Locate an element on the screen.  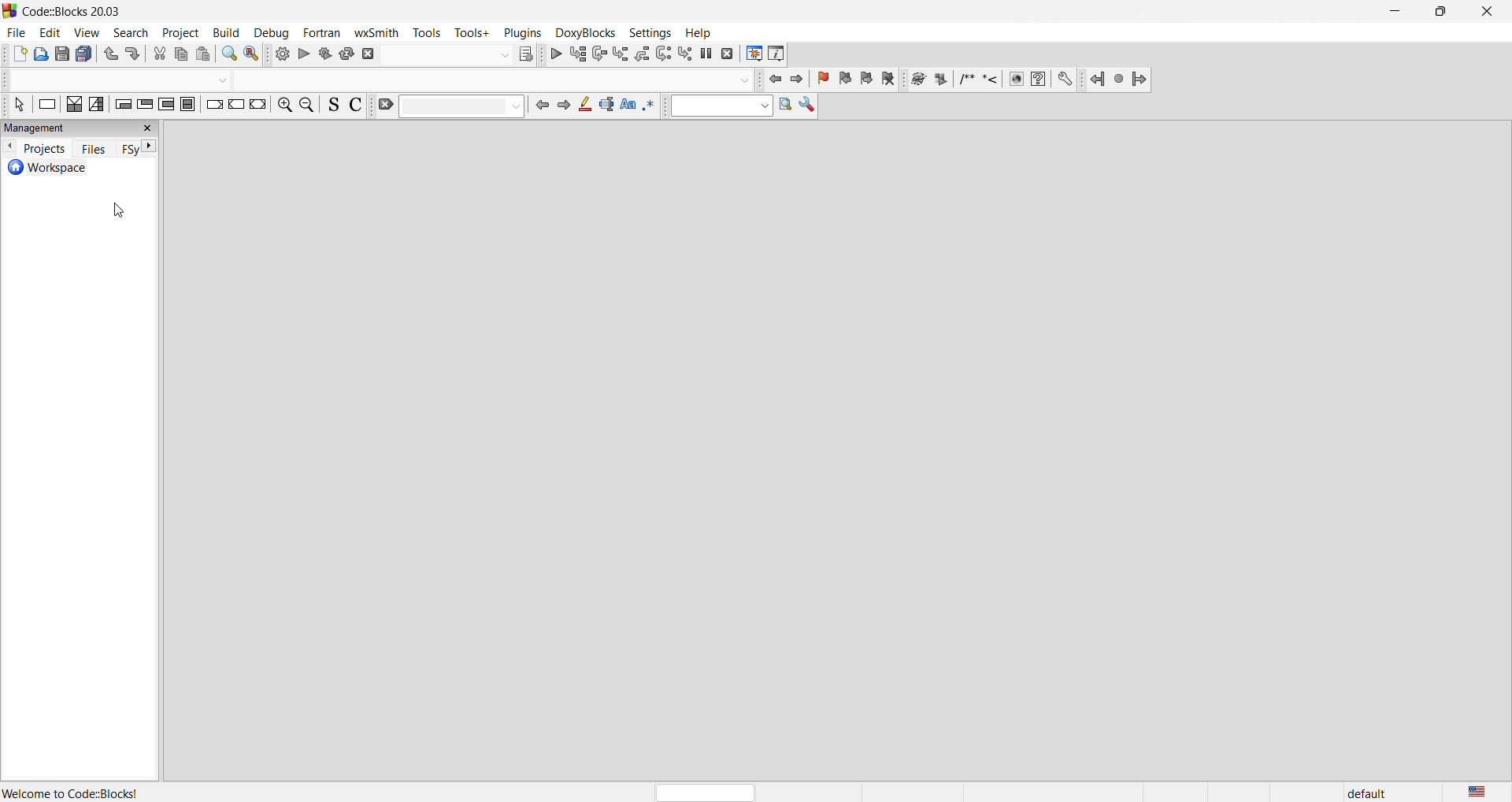
extract is located at coordinates (941, 79).